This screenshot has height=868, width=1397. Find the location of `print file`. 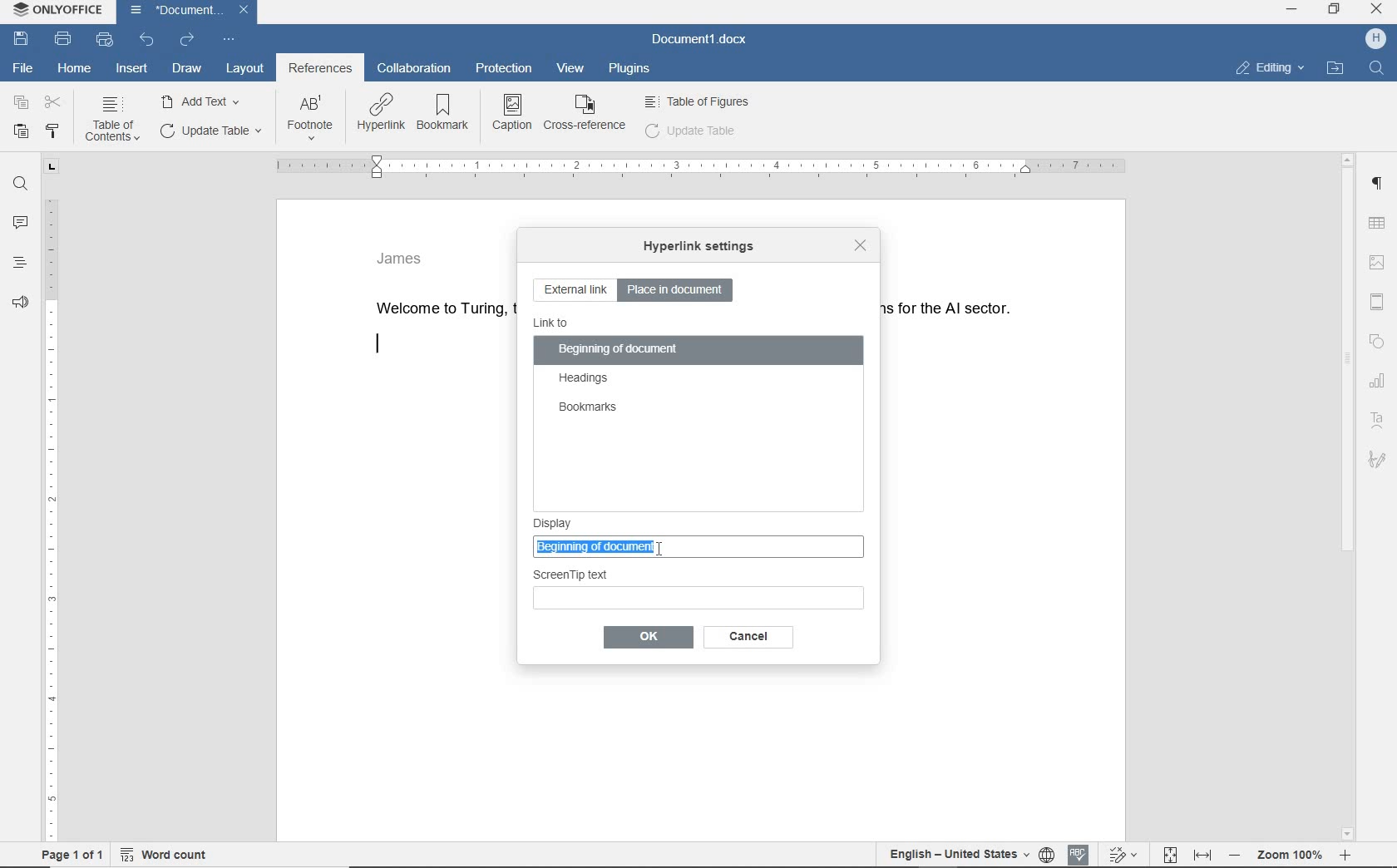

print file is located at coordinates (64, 40).